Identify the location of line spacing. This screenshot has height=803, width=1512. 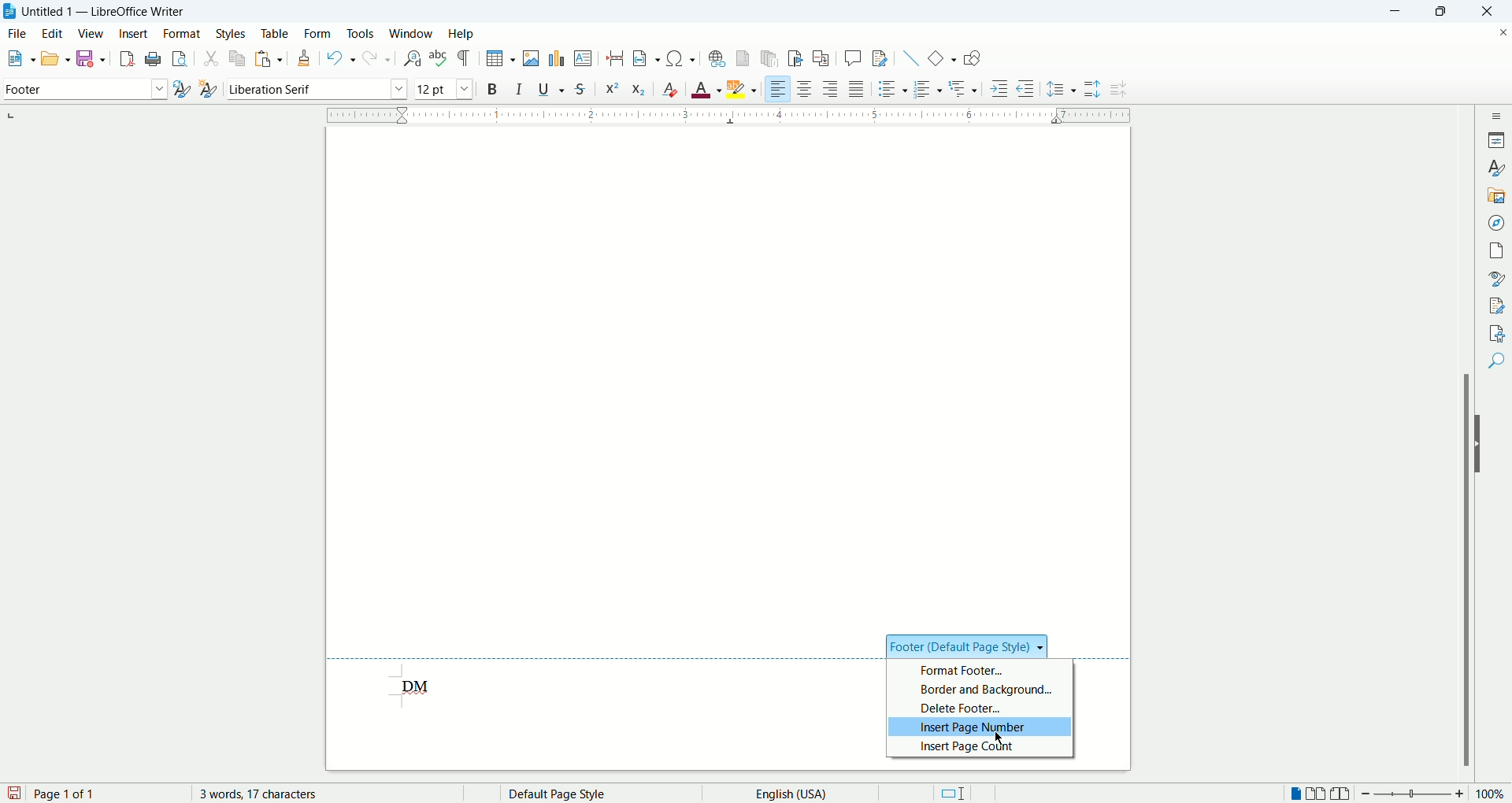
(1062, 91).